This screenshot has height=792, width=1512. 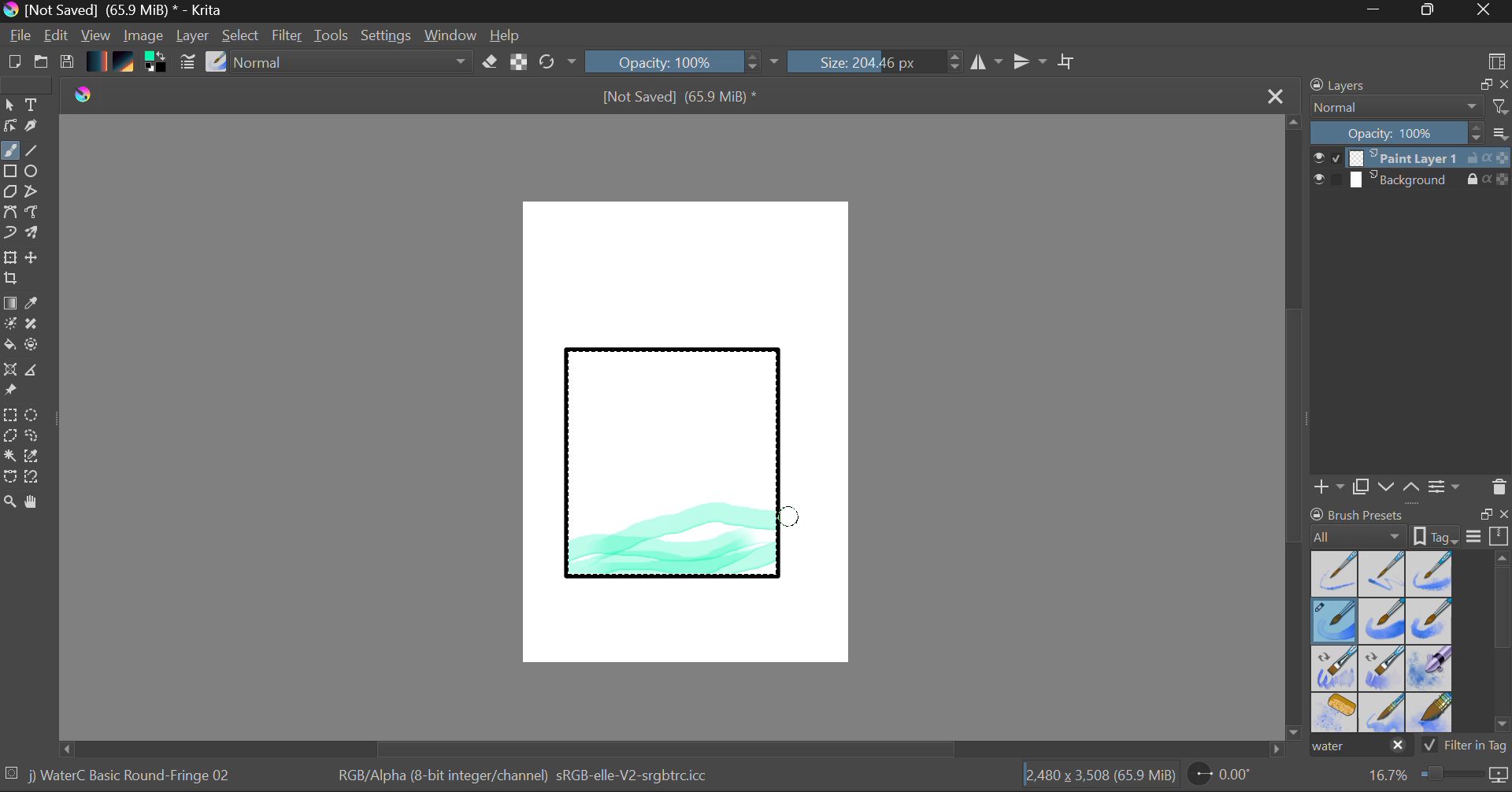 What do you see at coordinates (1412, 134) in the screenshot?
I see `Layer Opacity` at bounding box center [1412, 134].